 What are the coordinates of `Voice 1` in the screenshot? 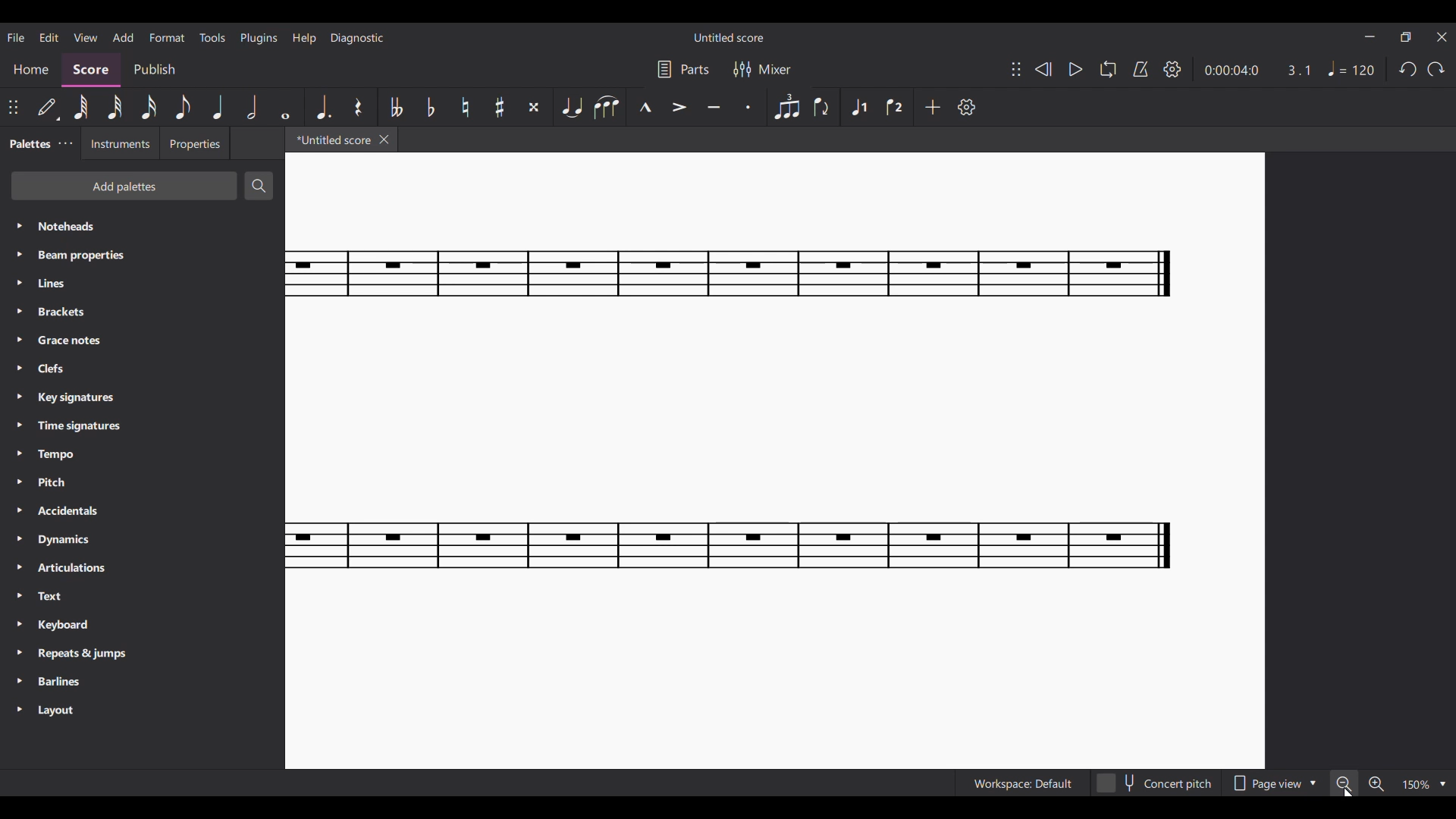 It's located at (858, 106).